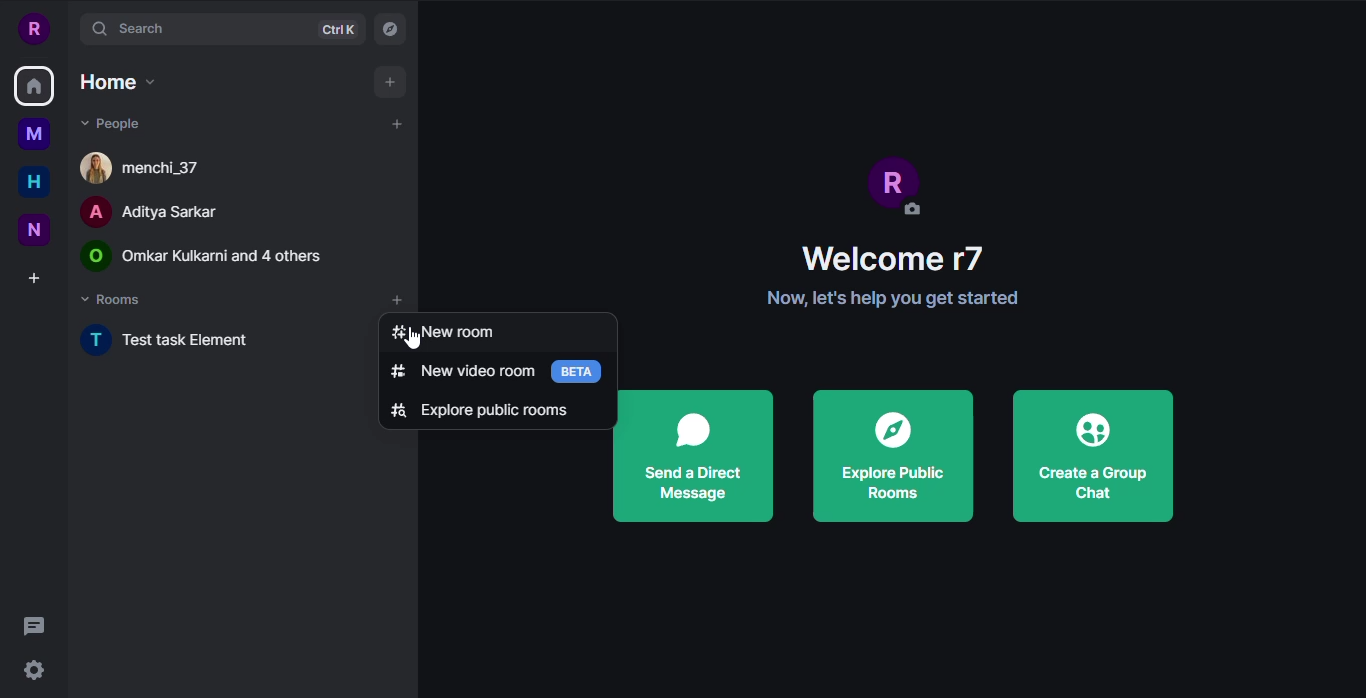 The image size is (1366, 698). What do you see at coordinates (890, 455) in the screenshot?
I see `explore public rooms` at bounding box center [890, 455].